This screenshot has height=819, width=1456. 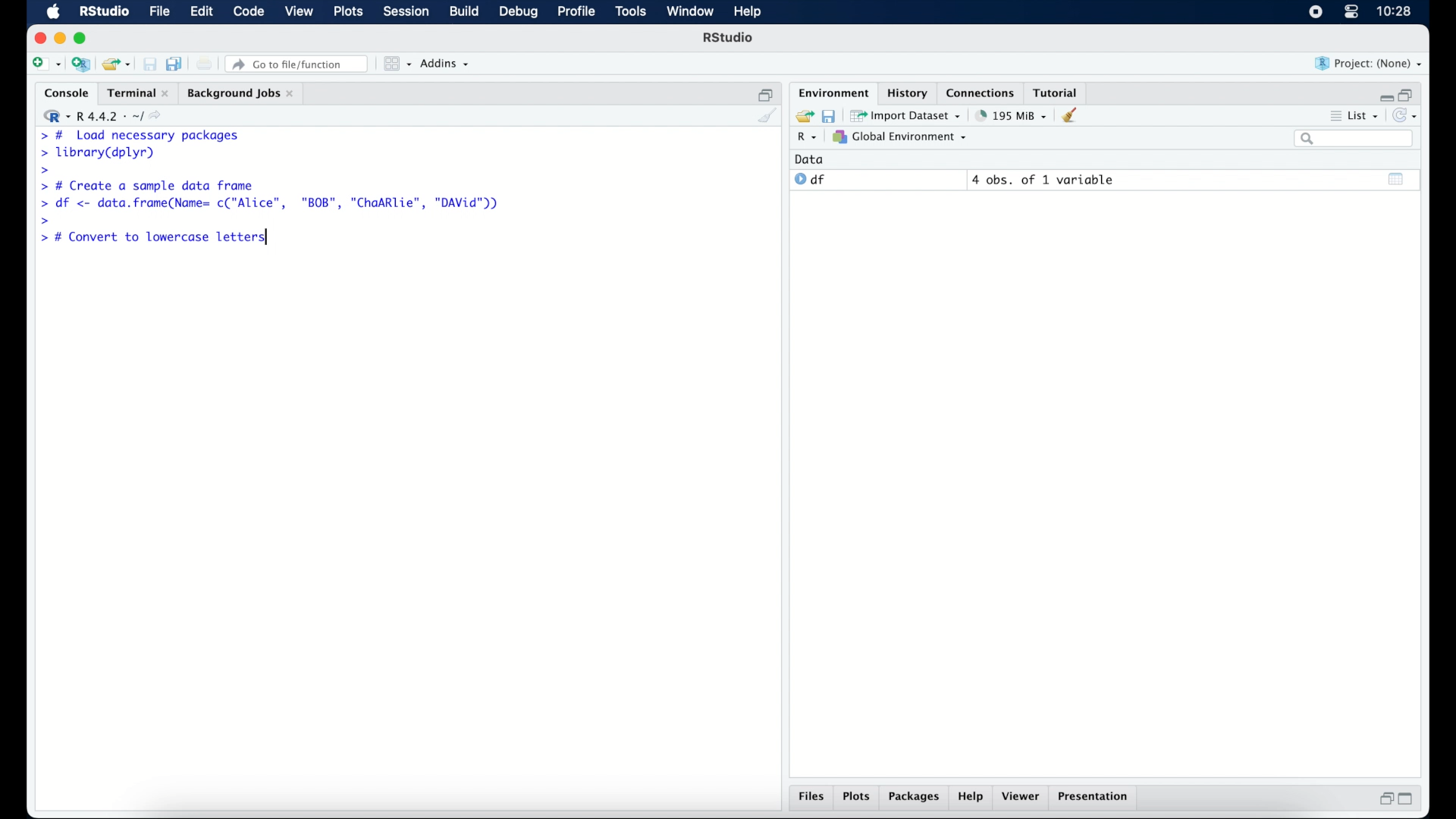 I want to click on view, so click(x=300, y=13).